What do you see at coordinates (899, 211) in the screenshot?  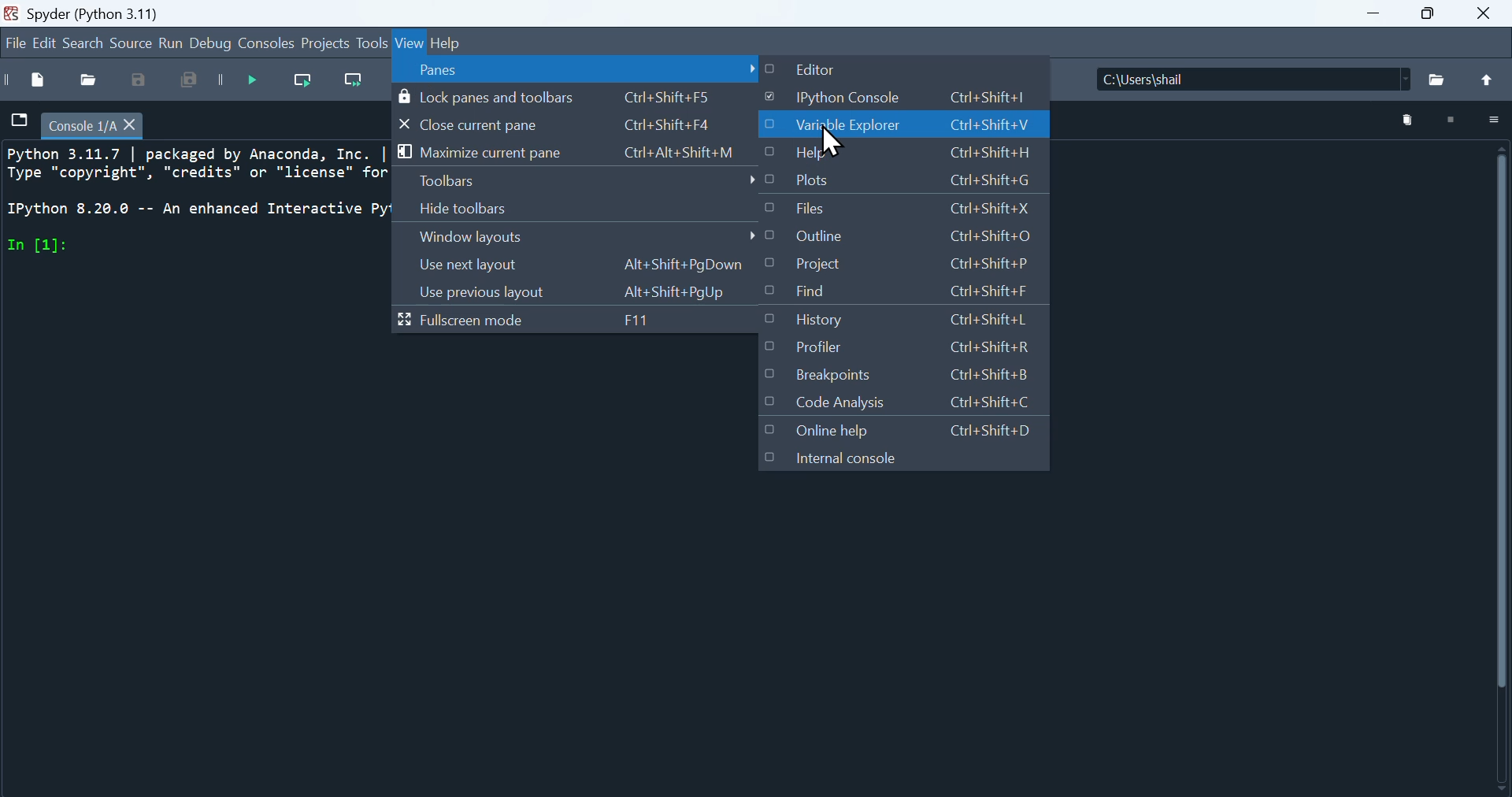 I see `files` at bounding box center [899, 211].